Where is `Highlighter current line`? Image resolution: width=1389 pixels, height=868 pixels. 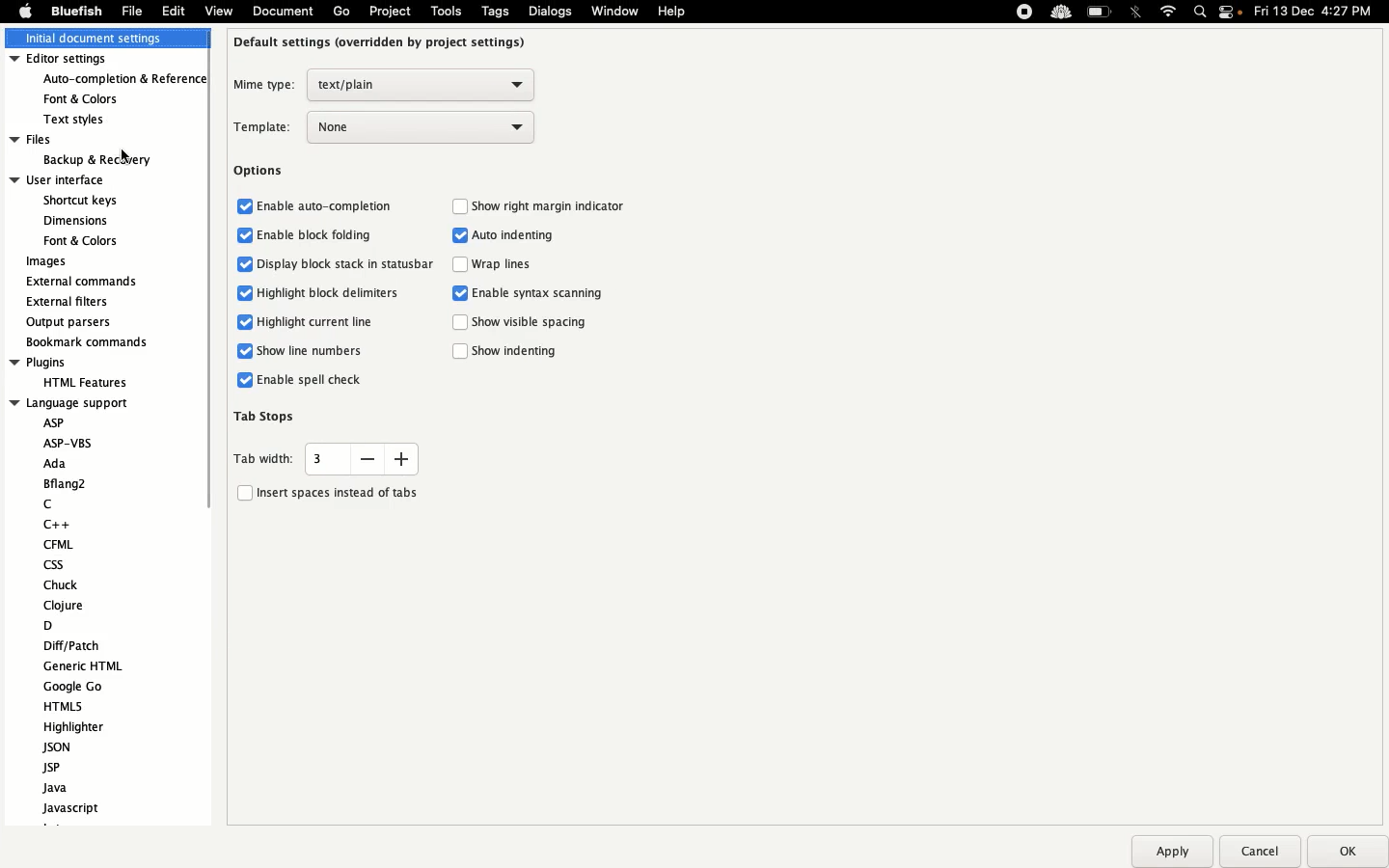 Highlighter current line is located at coordinates (309, 322).